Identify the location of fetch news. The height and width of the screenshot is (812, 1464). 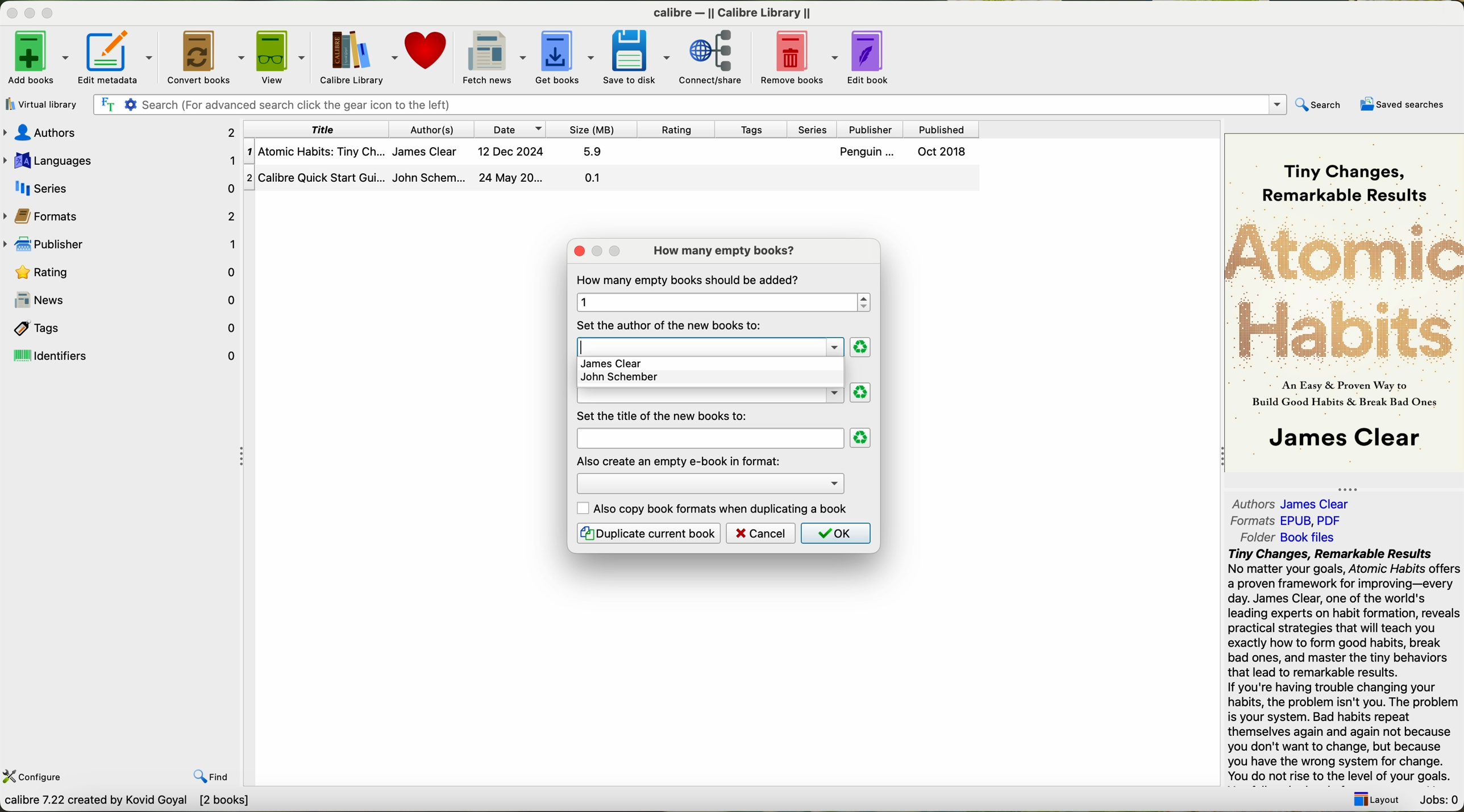
(491, 56).